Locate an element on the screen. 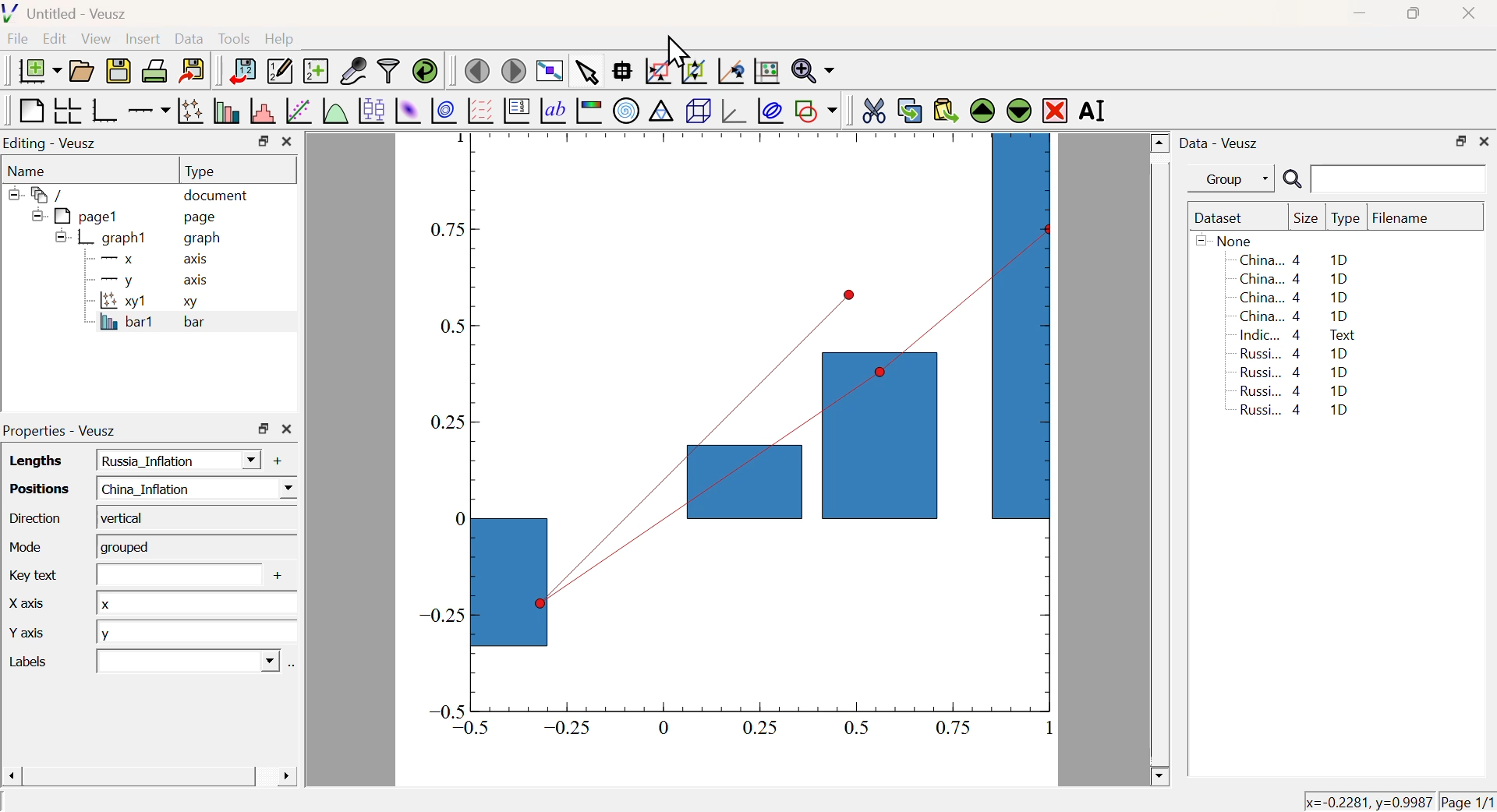  Print Document is located at coordinates (154, 70).